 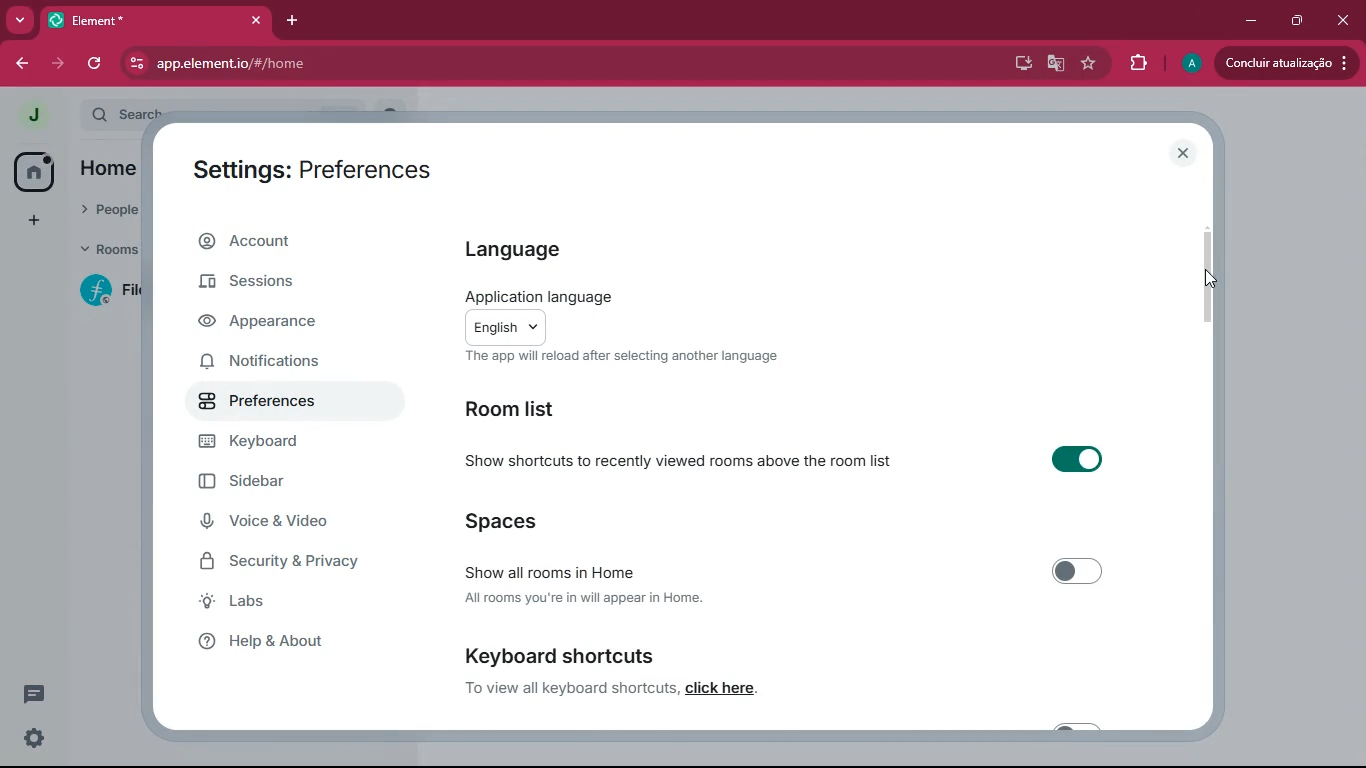 What do you see at coordinates (1186, 64) in the screenshot?
I see `profile ` at bounding box center [1186, 64].